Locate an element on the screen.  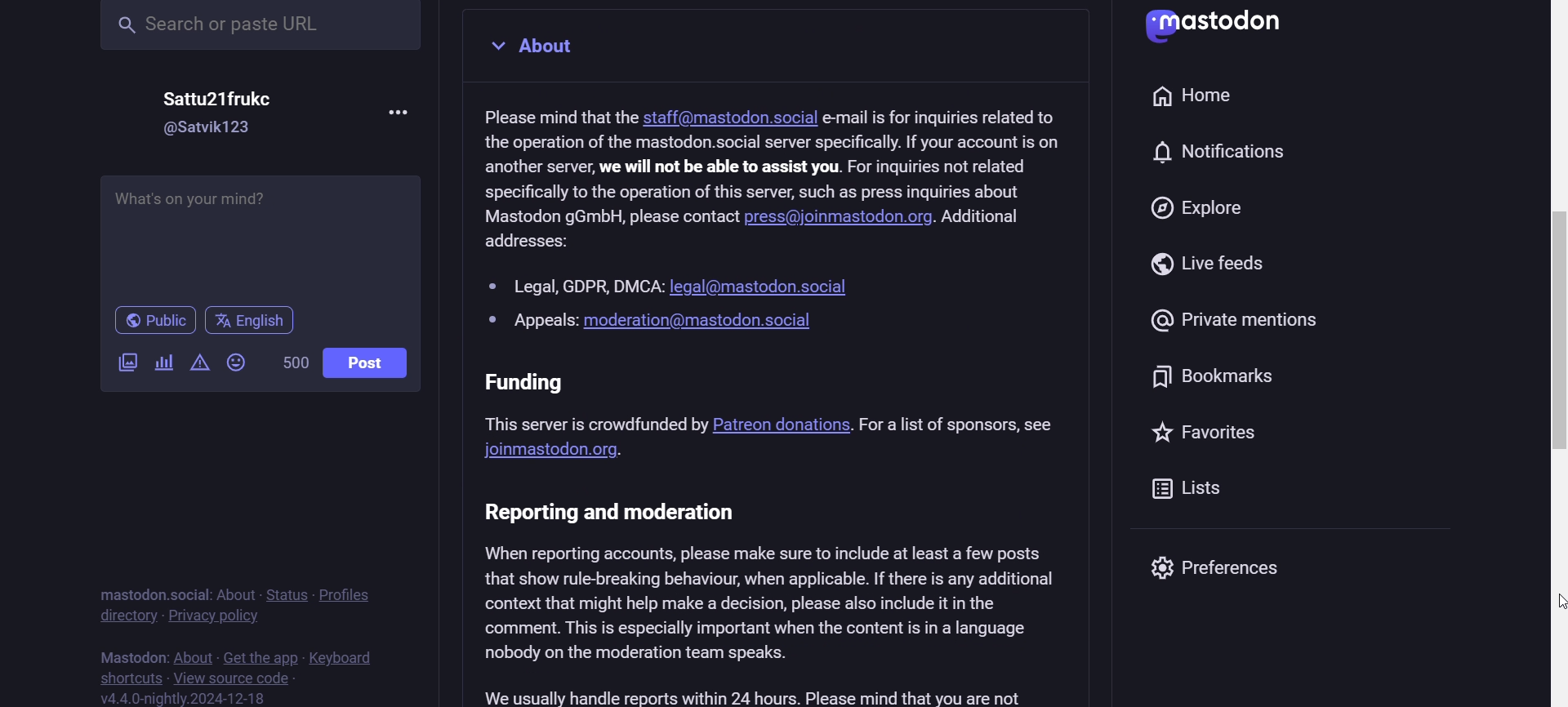
scrolled down is located at coordinates (1557, 349).